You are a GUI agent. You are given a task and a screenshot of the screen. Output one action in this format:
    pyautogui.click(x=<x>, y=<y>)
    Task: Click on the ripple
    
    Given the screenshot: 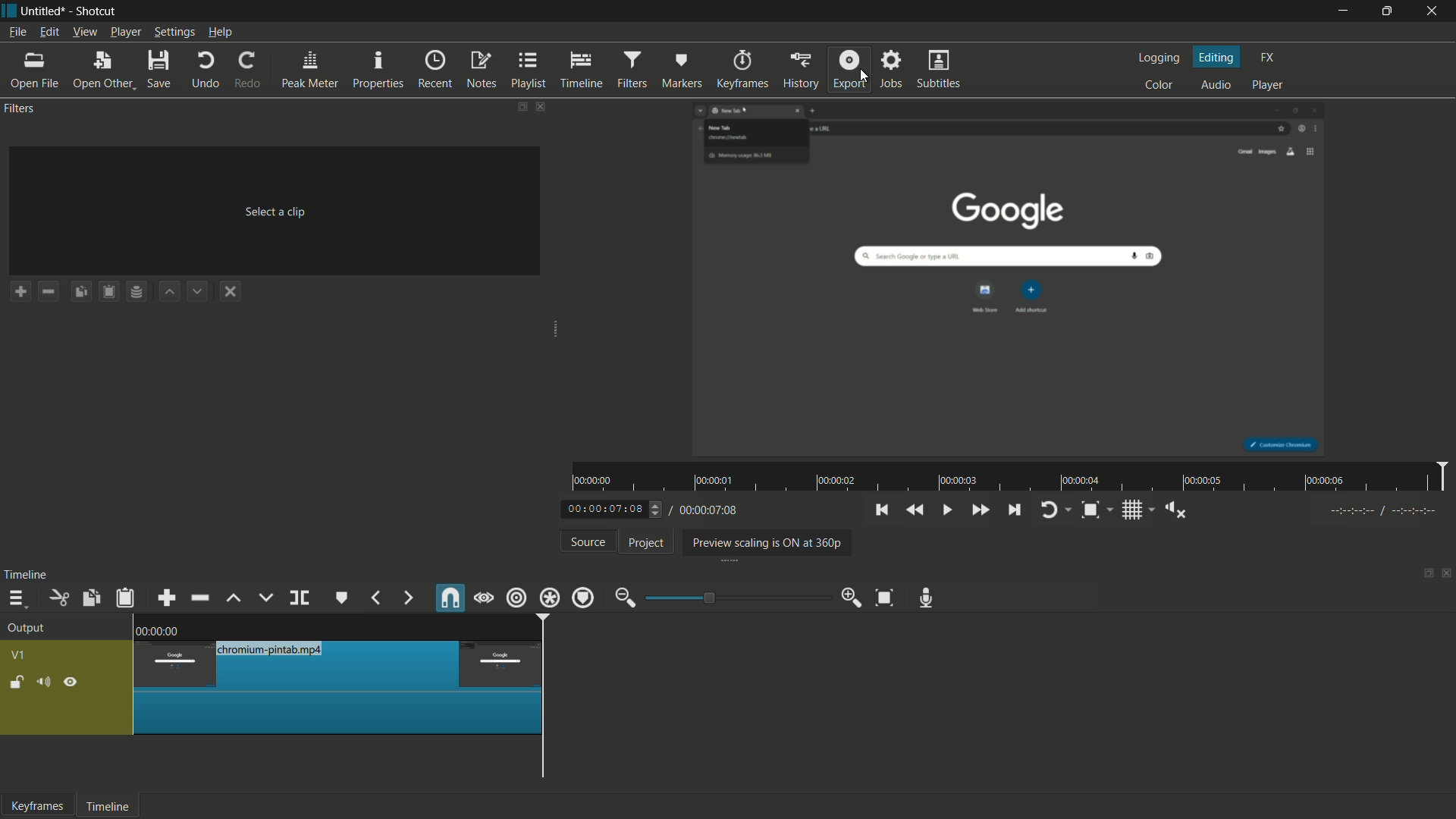 What is the action you would take?
    pyautogui.click(x=516, y=598)
    